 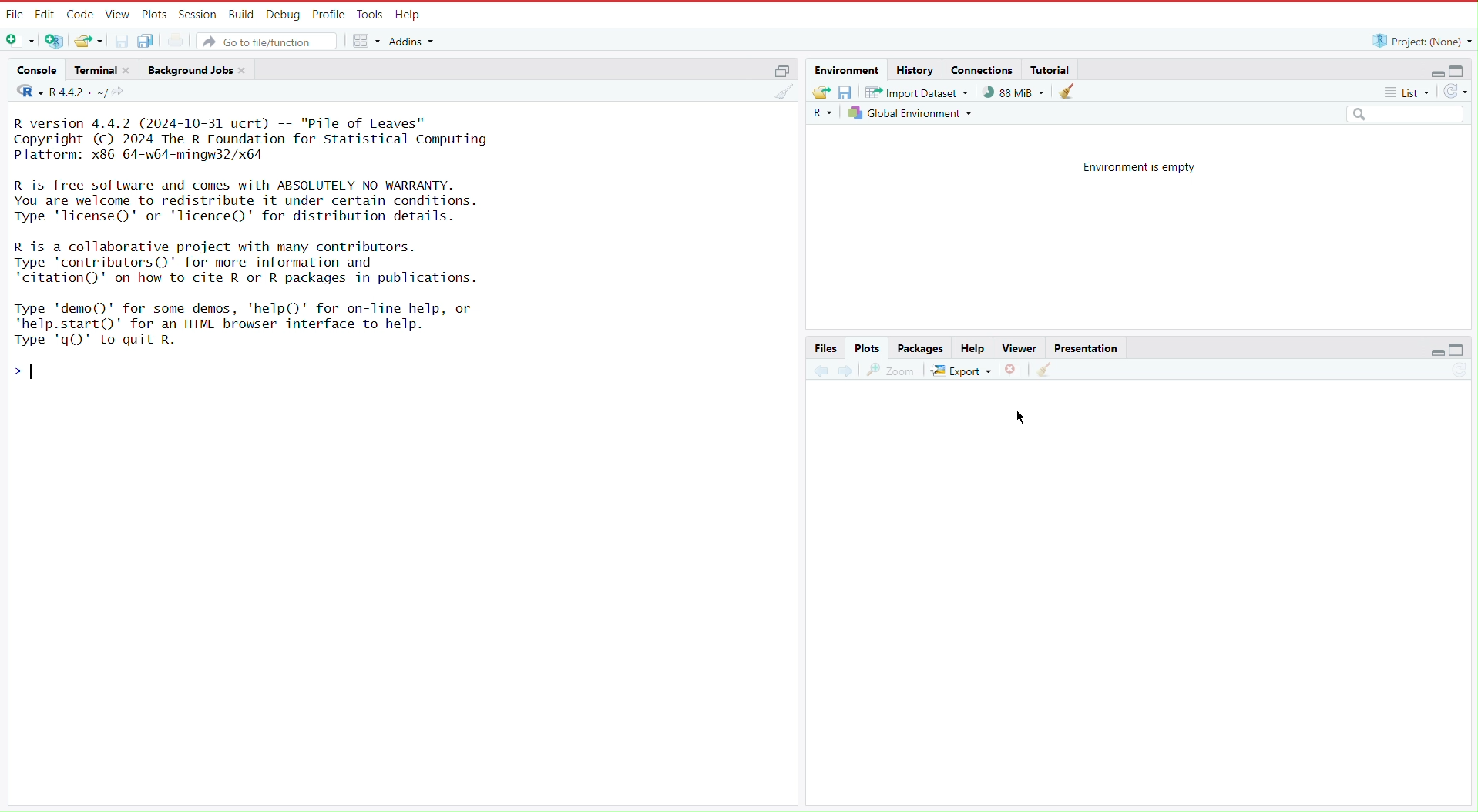 What do you see at coordinates (153, 14) in the screenshot?
I see `Plots` at bounding box center [153, 14].